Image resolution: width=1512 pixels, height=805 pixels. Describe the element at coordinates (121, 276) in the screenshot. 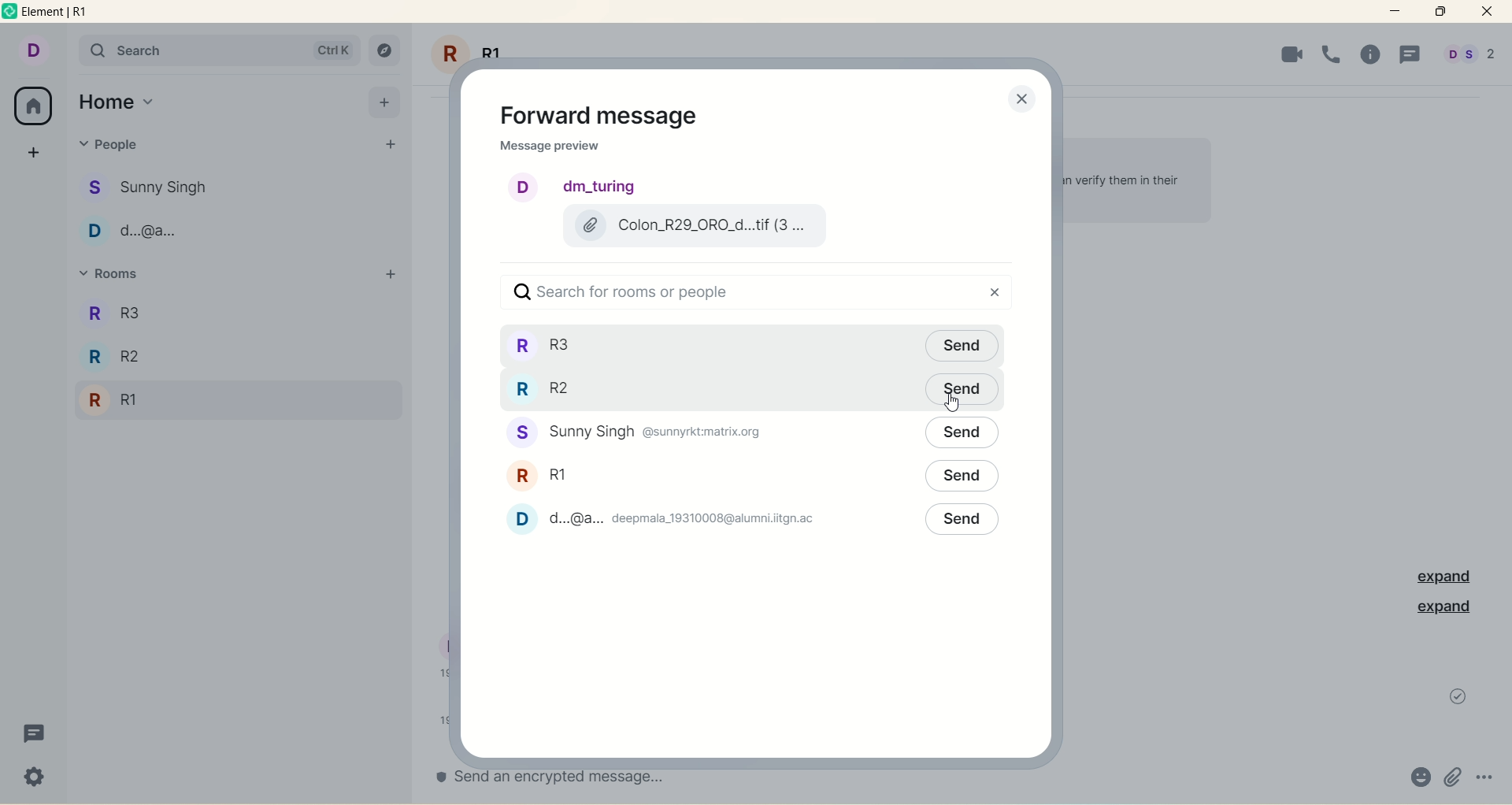

I see `rooms` at that location.